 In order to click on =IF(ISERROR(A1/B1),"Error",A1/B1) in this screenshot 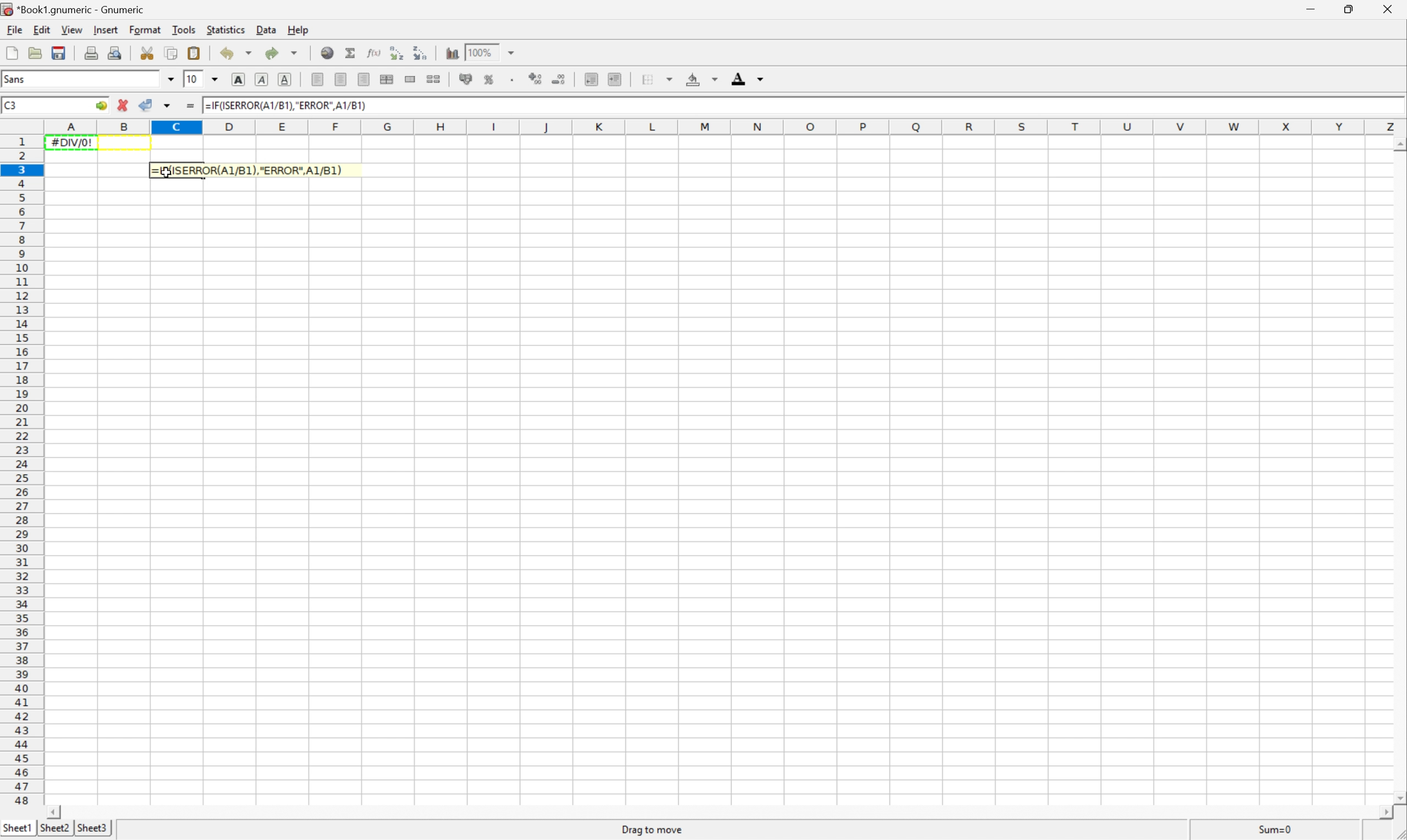, I will do `click(286, 105)`.